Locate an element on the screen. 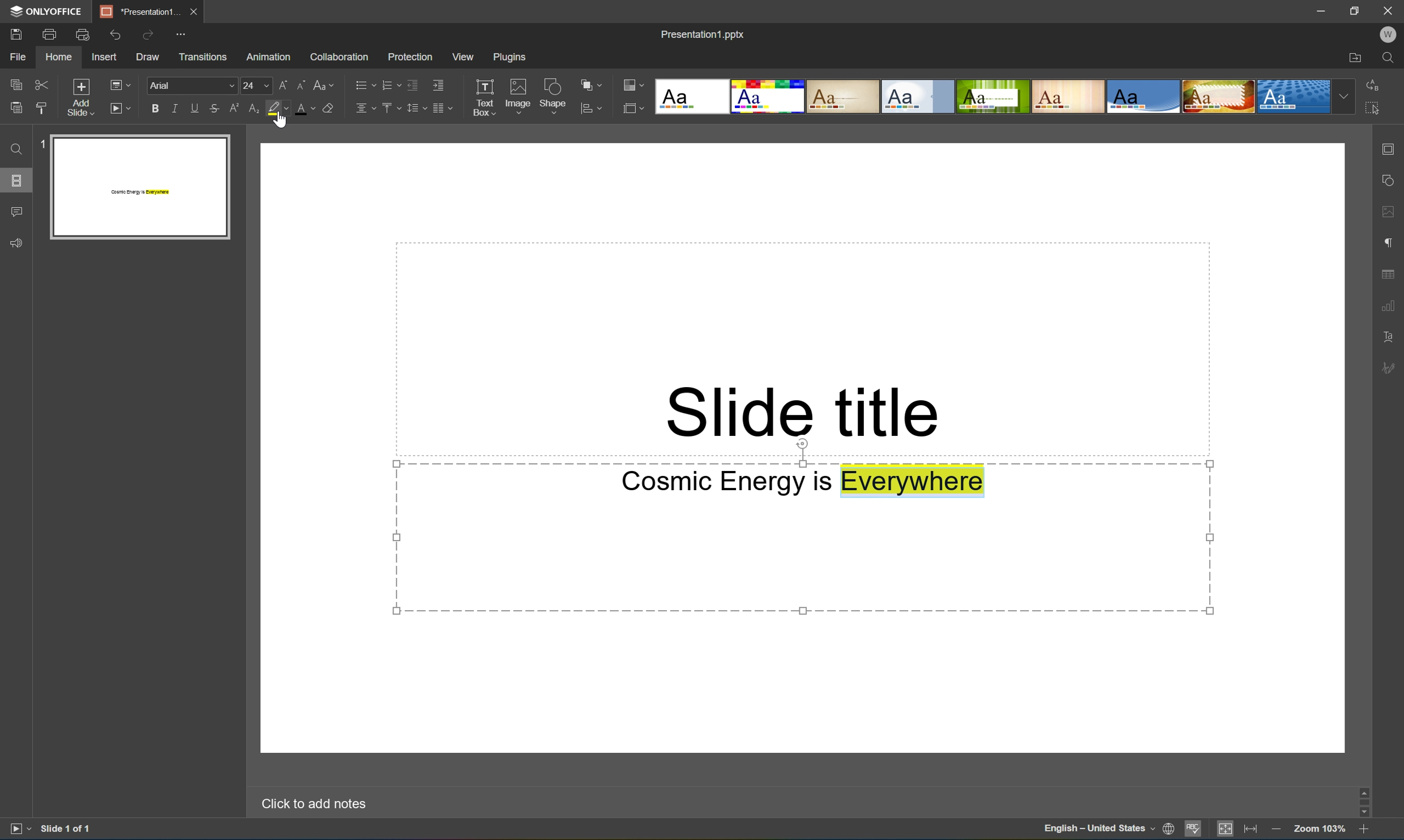 The height and width of the screenshot is (840, 1404). Text art settings is located at coordinates (1389, 337).